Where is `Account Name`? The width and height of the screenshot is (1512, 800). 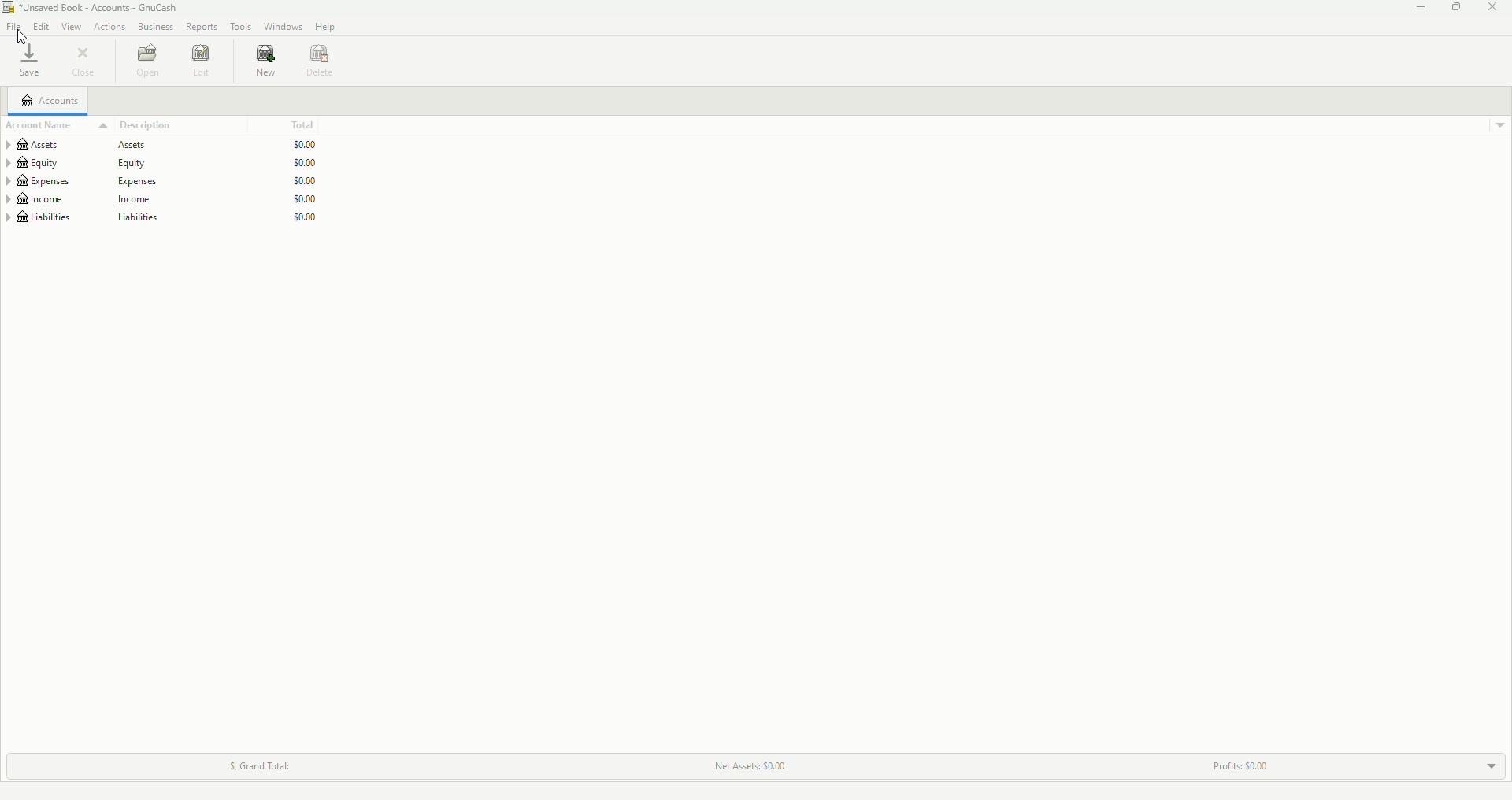
Account Name is located at coordinates (39, 126).